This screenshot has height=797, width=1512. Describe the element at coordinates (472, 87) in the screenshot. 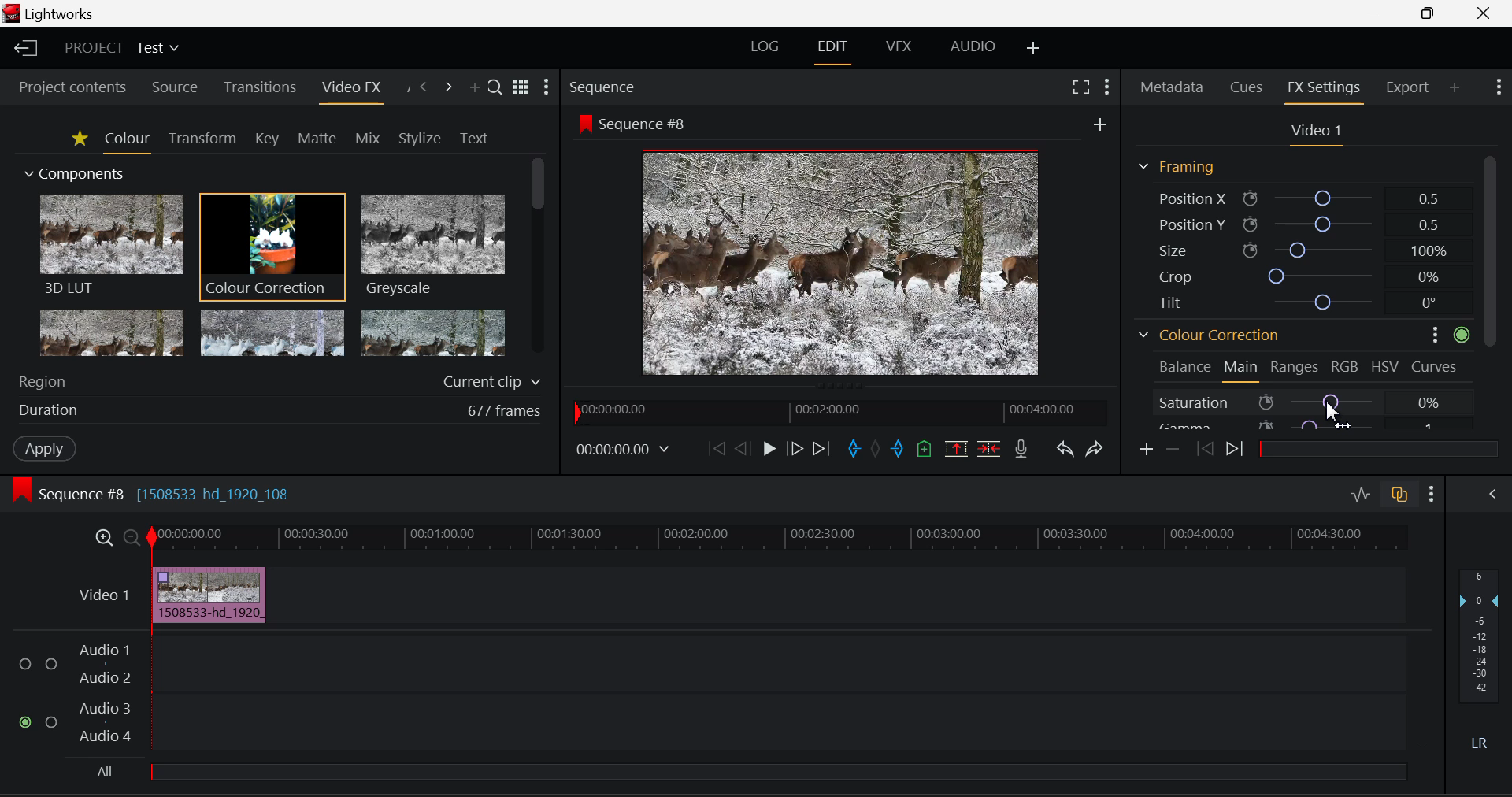

I see `Add Panel` at that location.